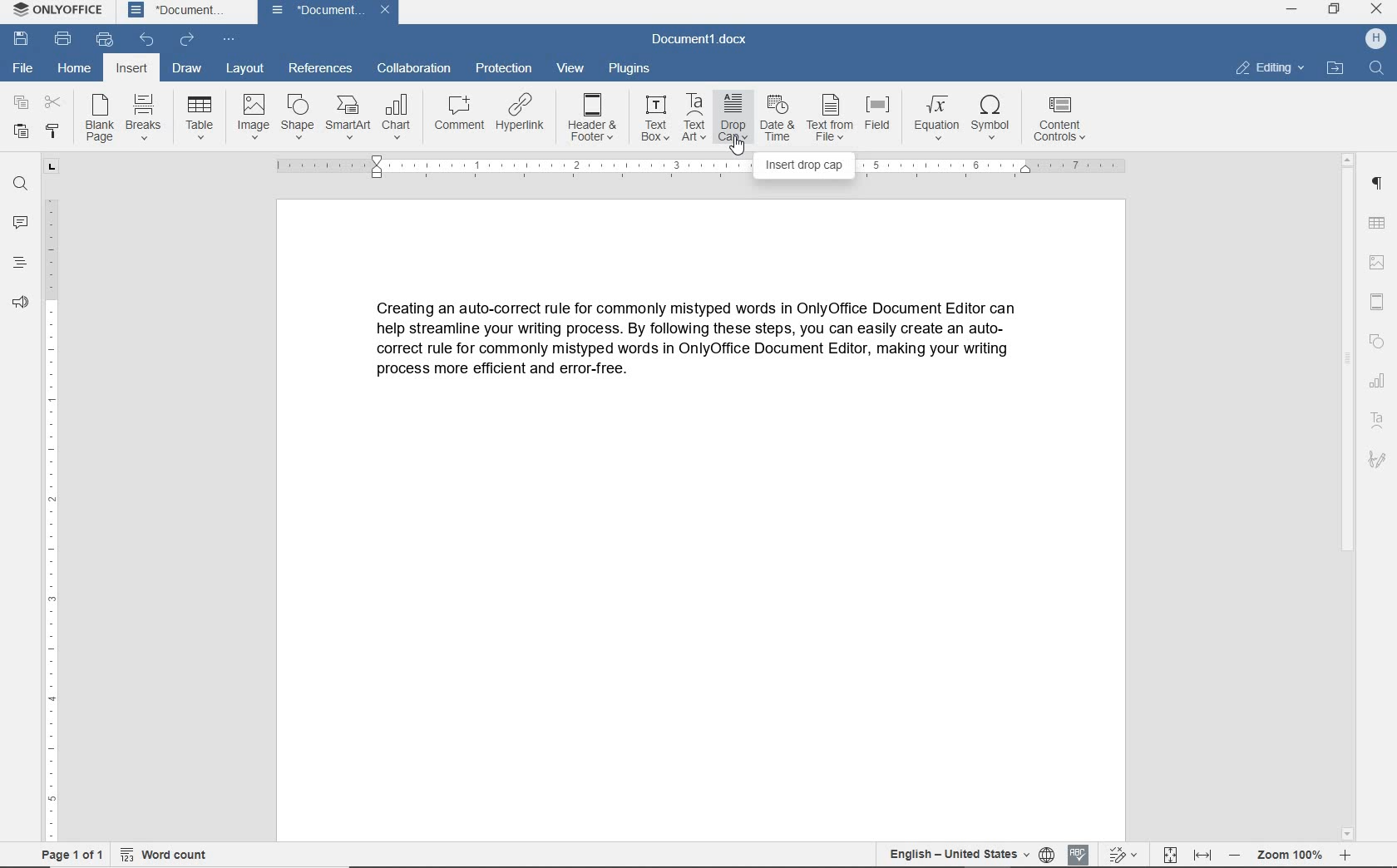 This screenshot has width=1397, height=868. I want to click on symbol, so click(995, 121).